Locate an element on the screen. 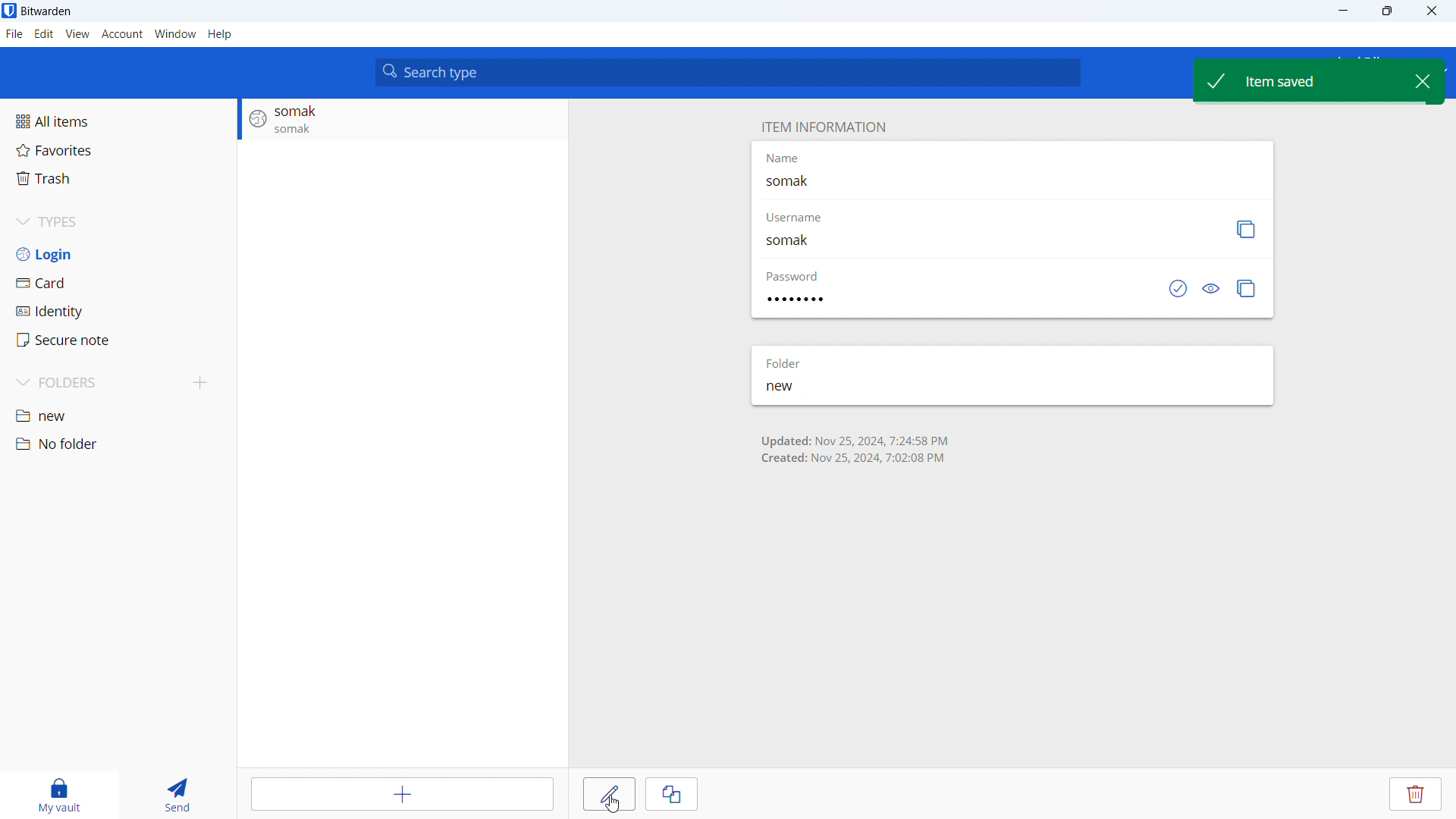 This screenshot has width=1456, height=819. view is located at coordinates (78, 34).